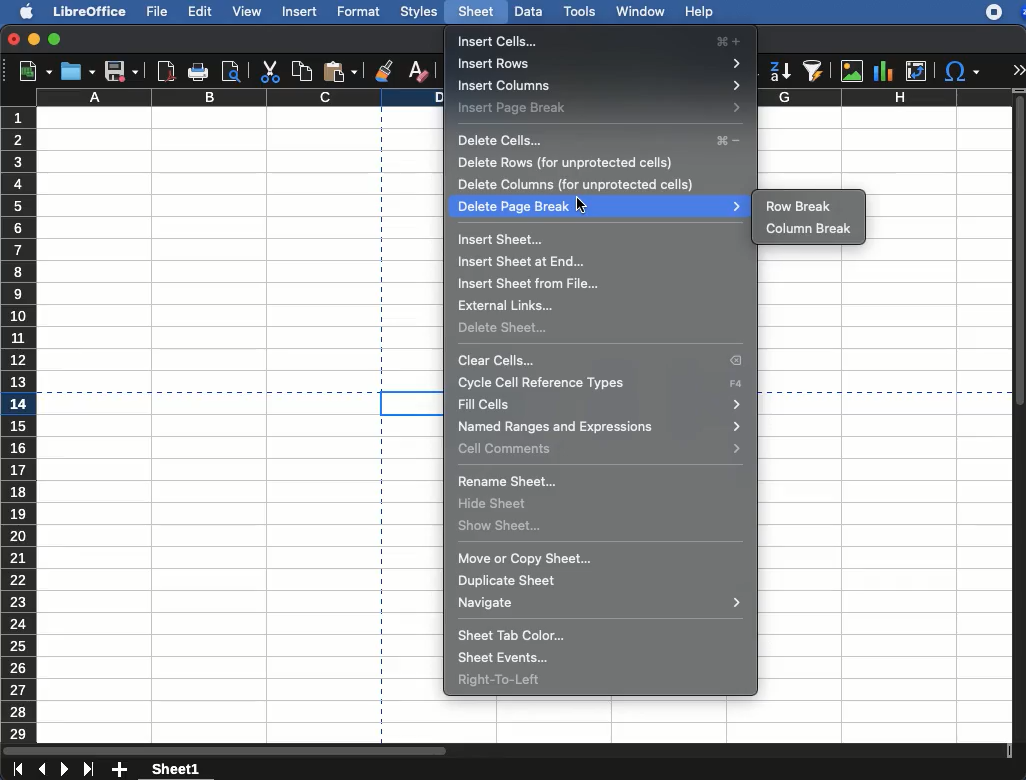  I want to click on new, so click(29, 73).